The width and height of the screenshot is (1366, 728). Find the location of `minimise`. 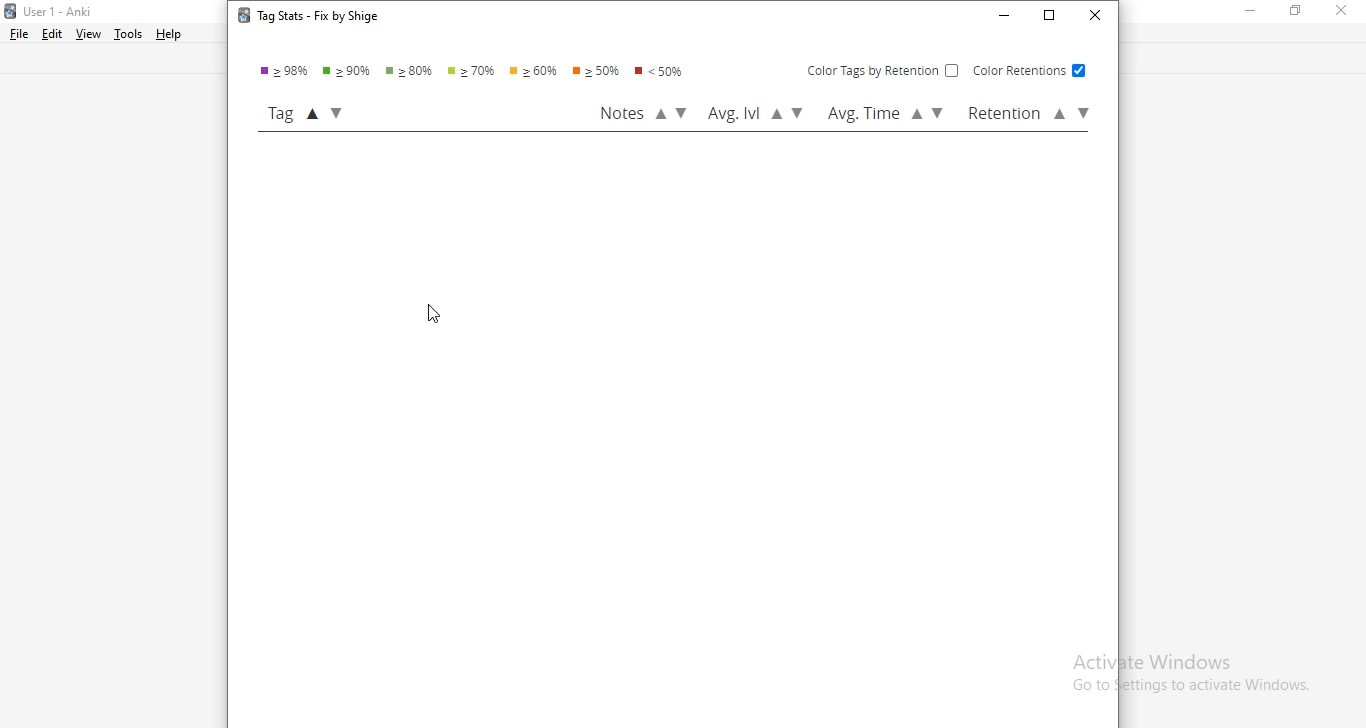

minimise is located at coordinates (1004, 17).